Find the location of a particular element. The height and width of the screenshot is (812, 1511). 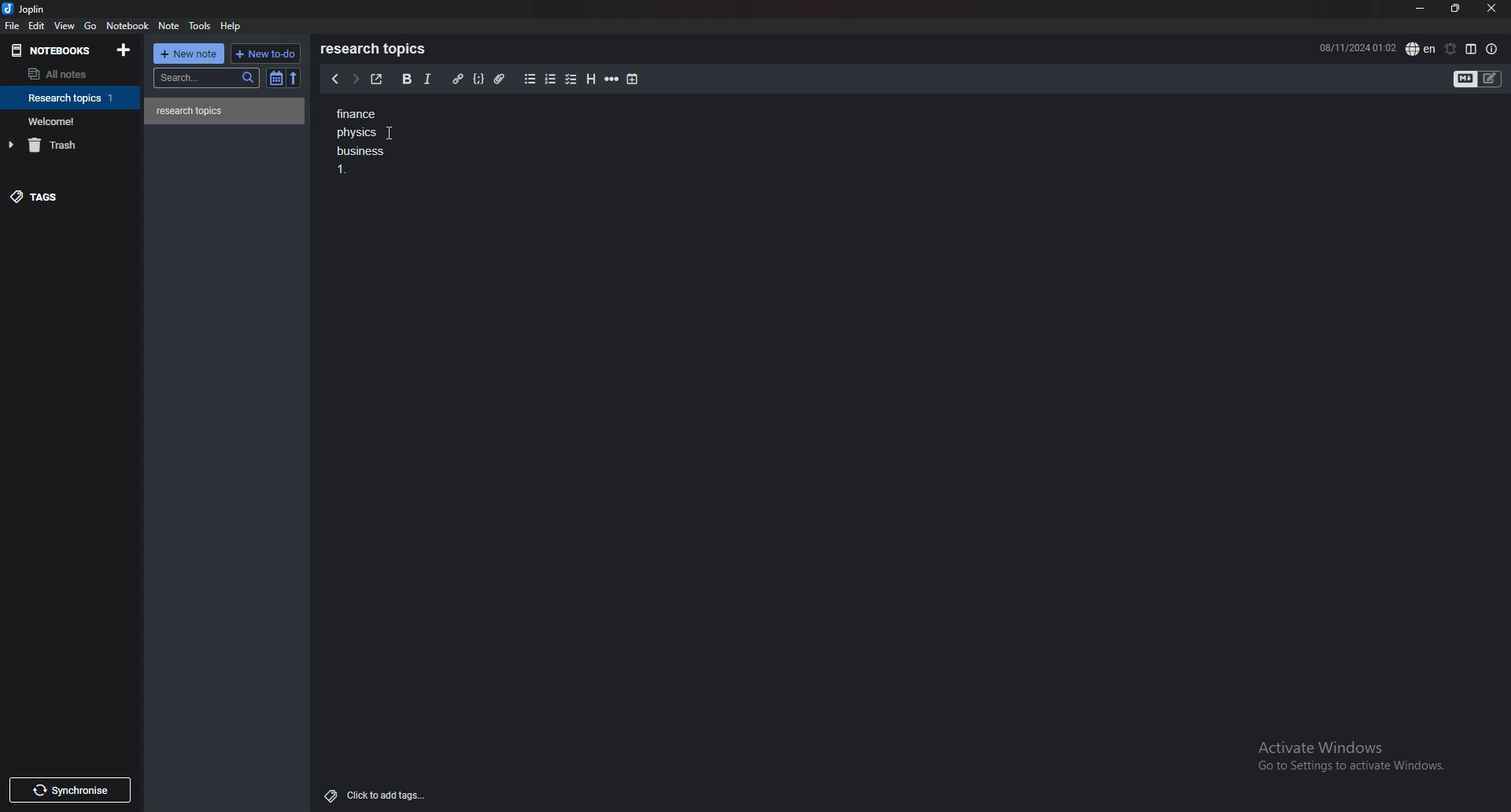

view is located at coordinates (65, 26).